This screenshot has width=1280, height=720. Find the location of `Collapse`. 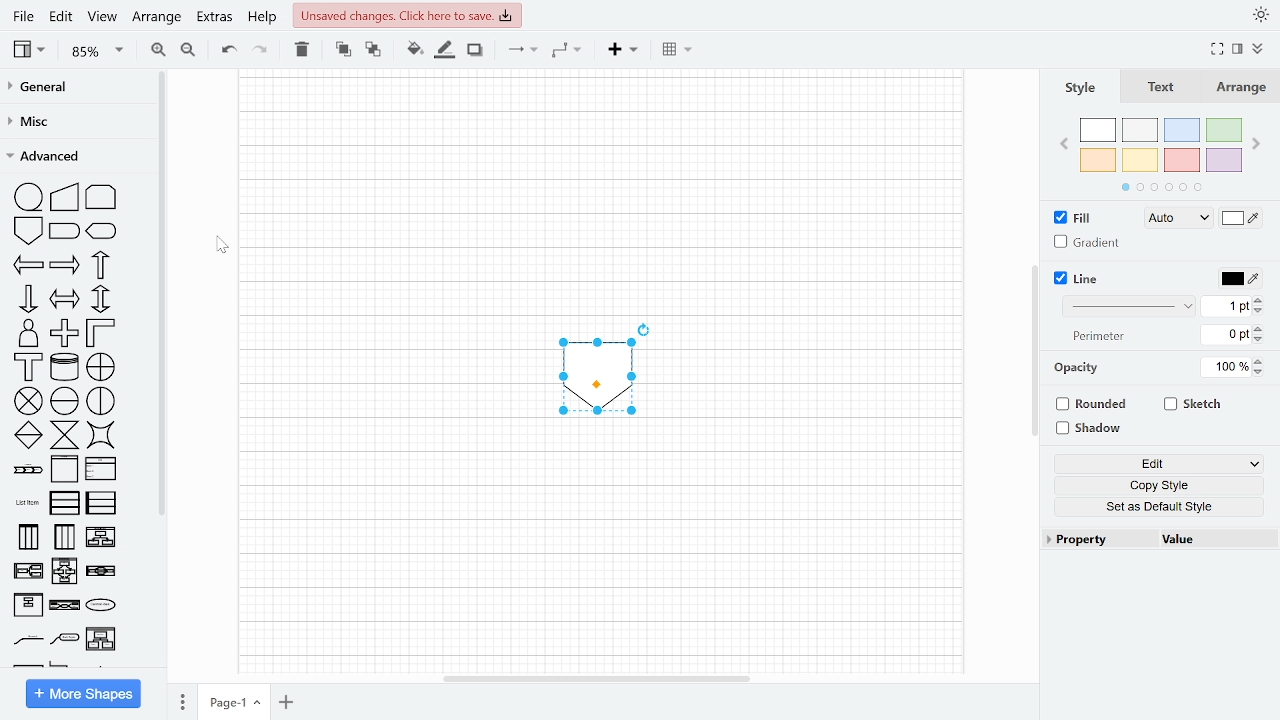

Collapse is located at coordinates (1259, 51).